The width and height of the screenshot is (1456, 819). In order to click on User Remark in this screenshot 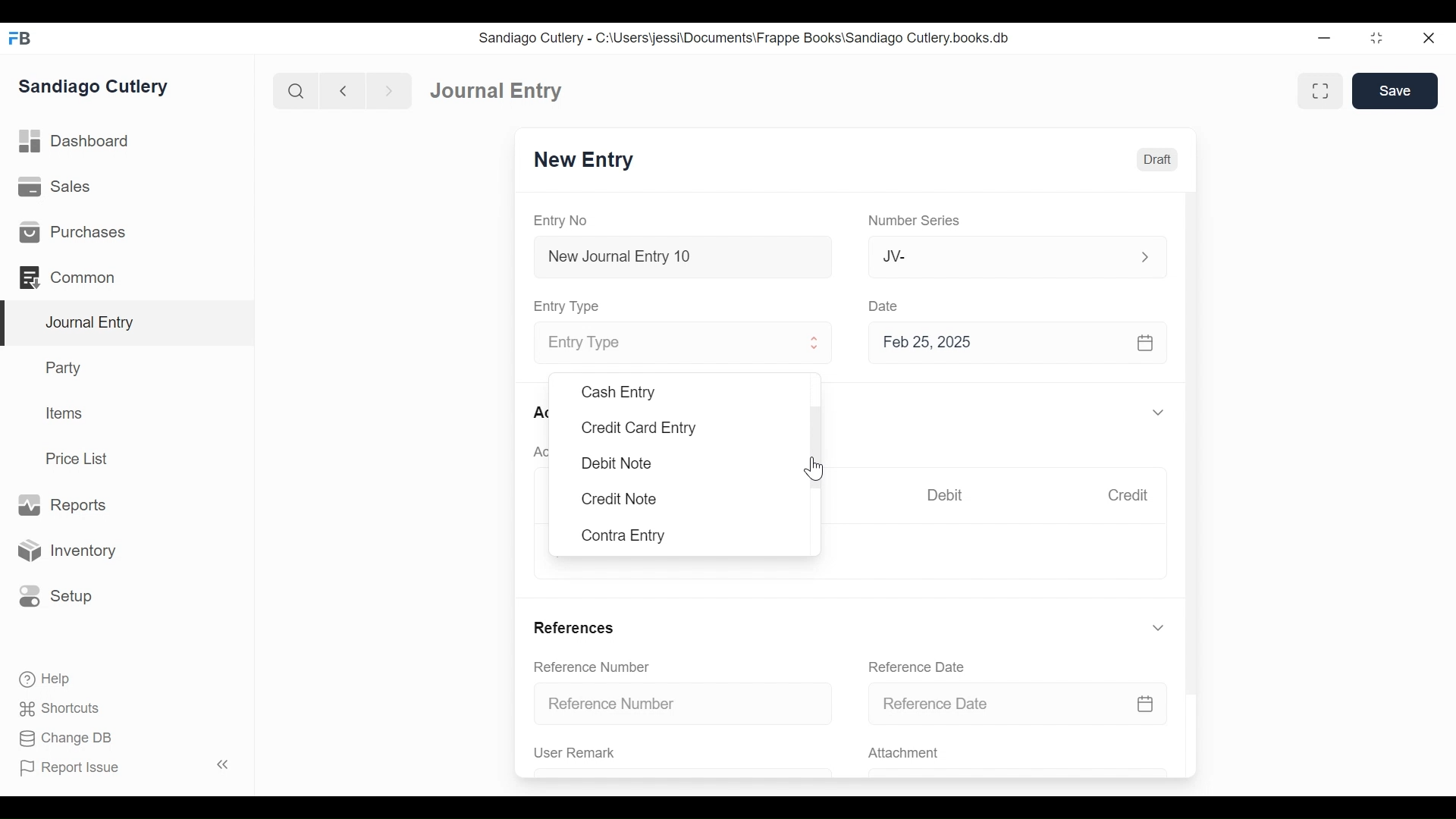, I will do `click(575, 753)`.